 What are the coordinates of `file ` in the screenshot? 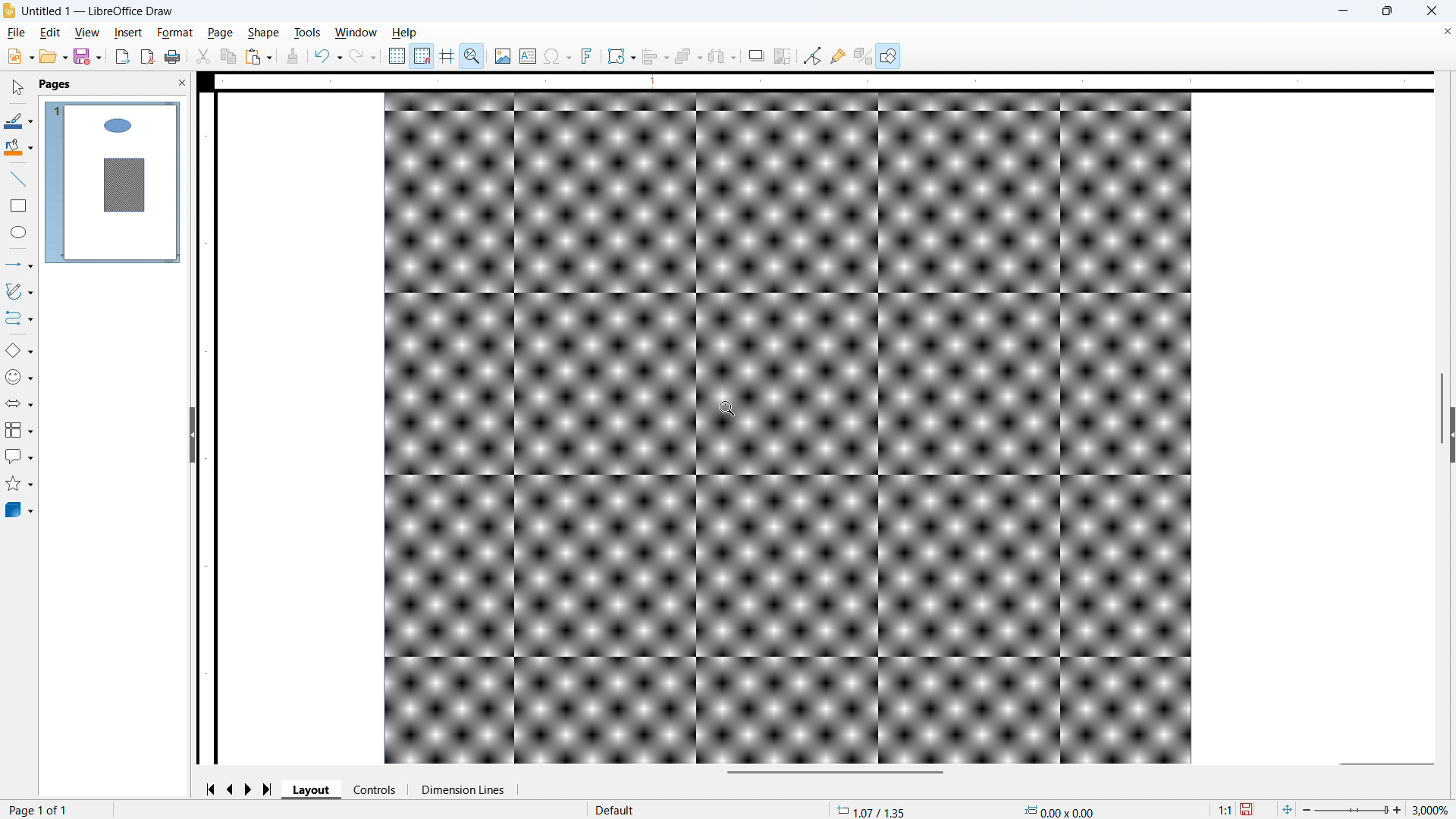 It's located at (17, 33).